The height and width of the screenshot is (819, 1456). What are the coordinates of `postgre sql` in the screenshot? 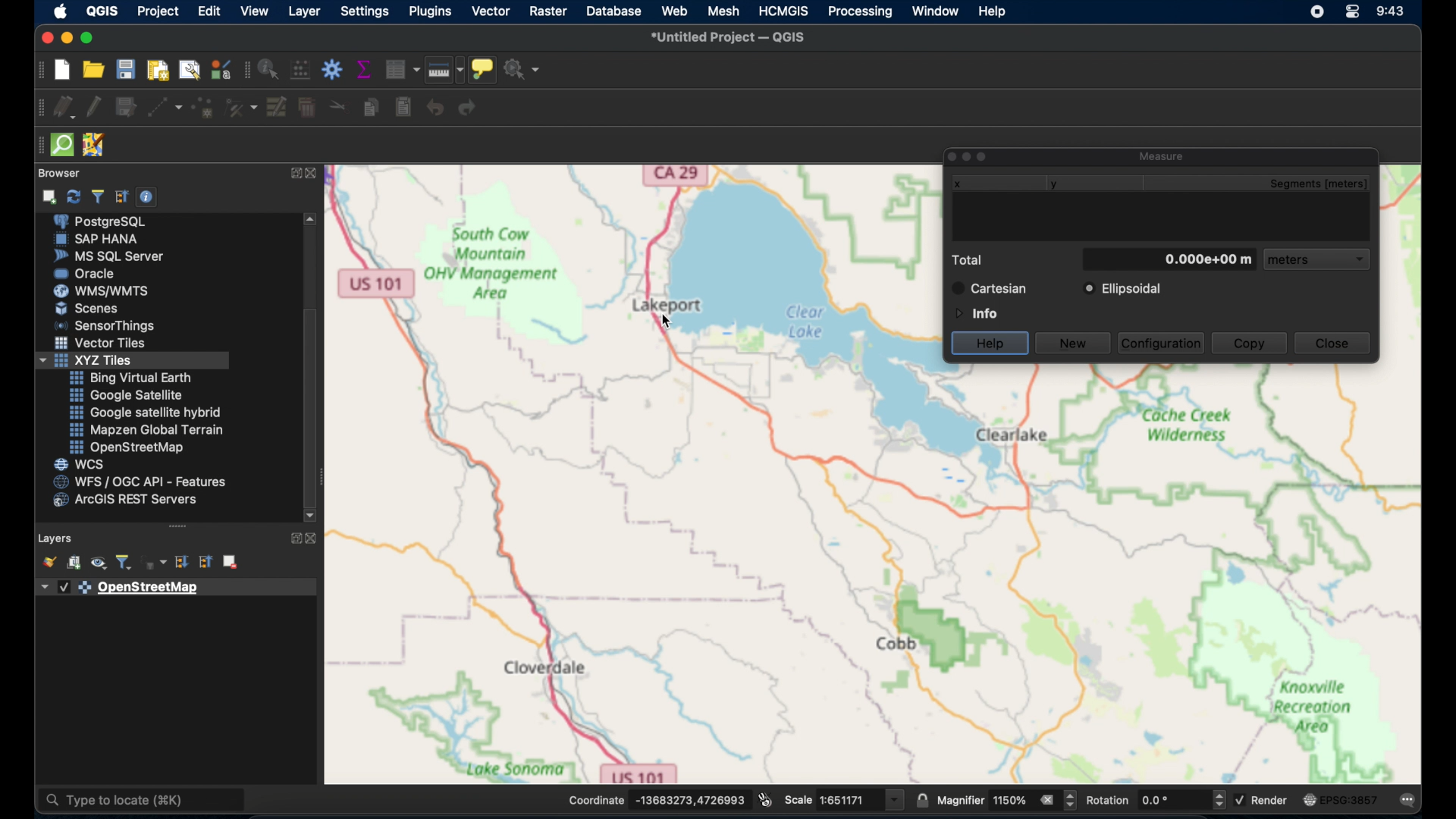 It's located at (110, 222).